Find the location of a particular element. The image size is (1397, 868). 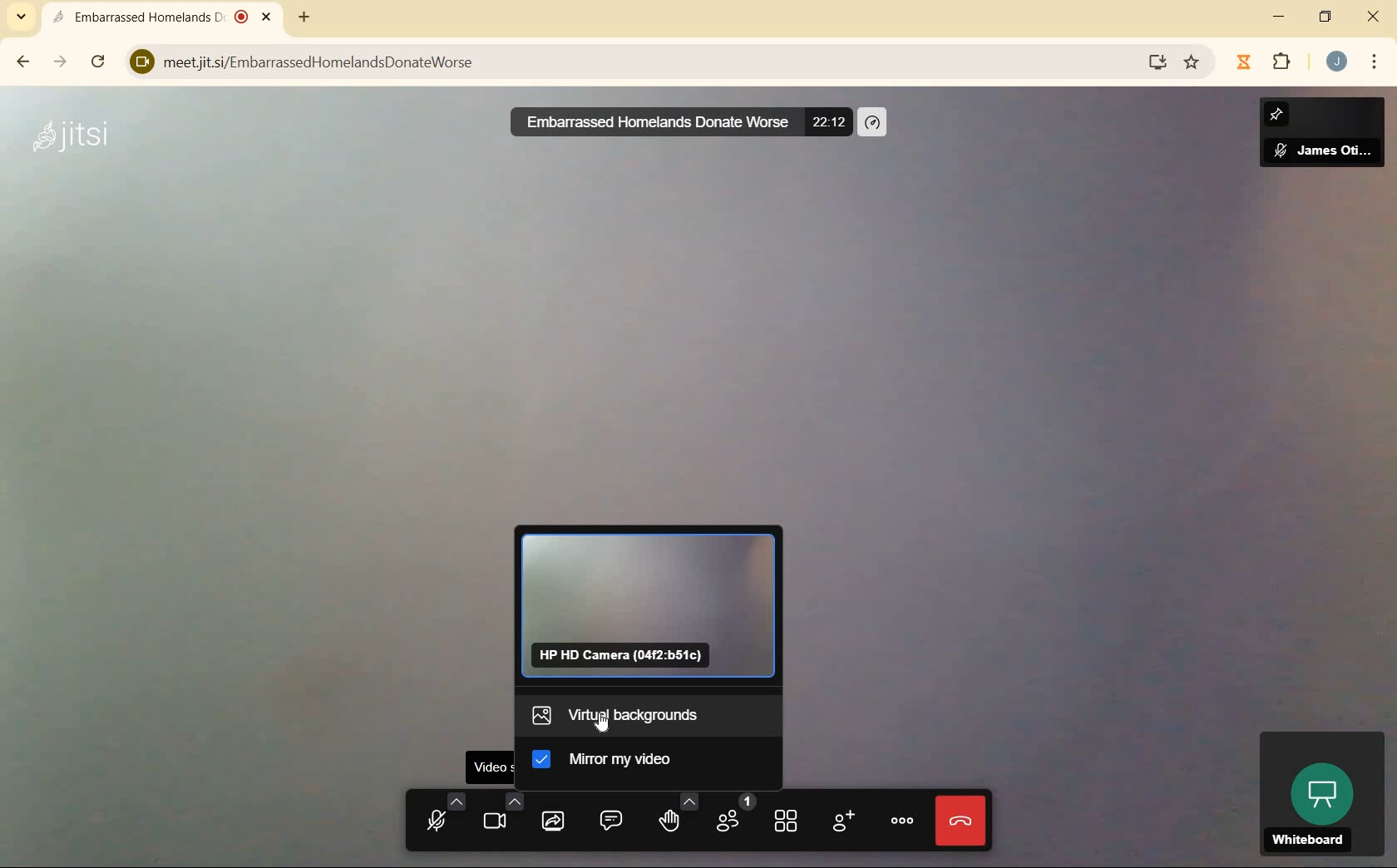

22:05 is located at coordinates (831, 121).